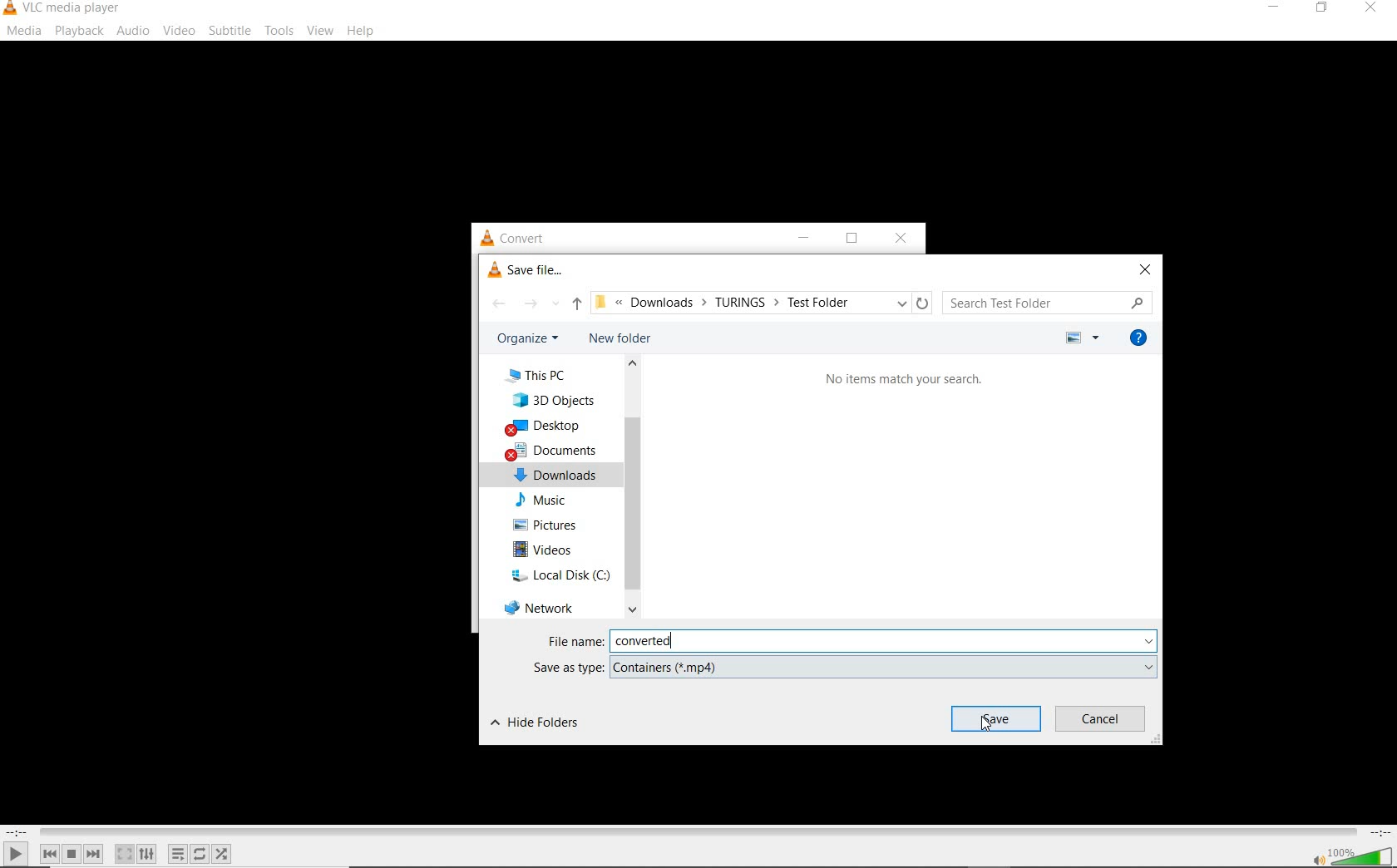  Describe the element at coordinates (525, 238) in the screenshot. I see `convert` at that location.